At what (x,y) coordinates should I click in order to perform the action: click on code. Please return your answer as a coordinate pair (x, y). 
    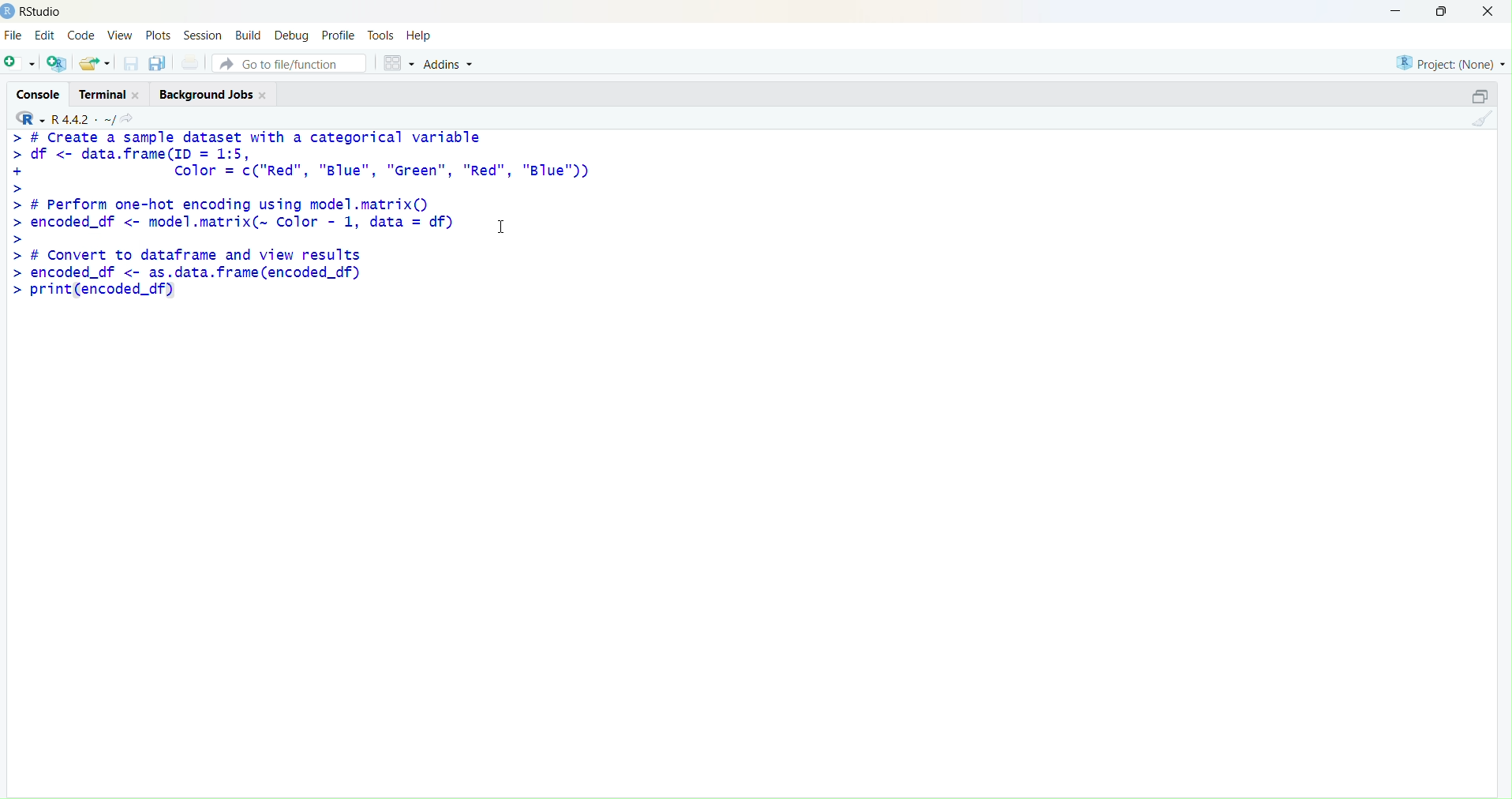
    Looking at the image, I should click on (81, 36).